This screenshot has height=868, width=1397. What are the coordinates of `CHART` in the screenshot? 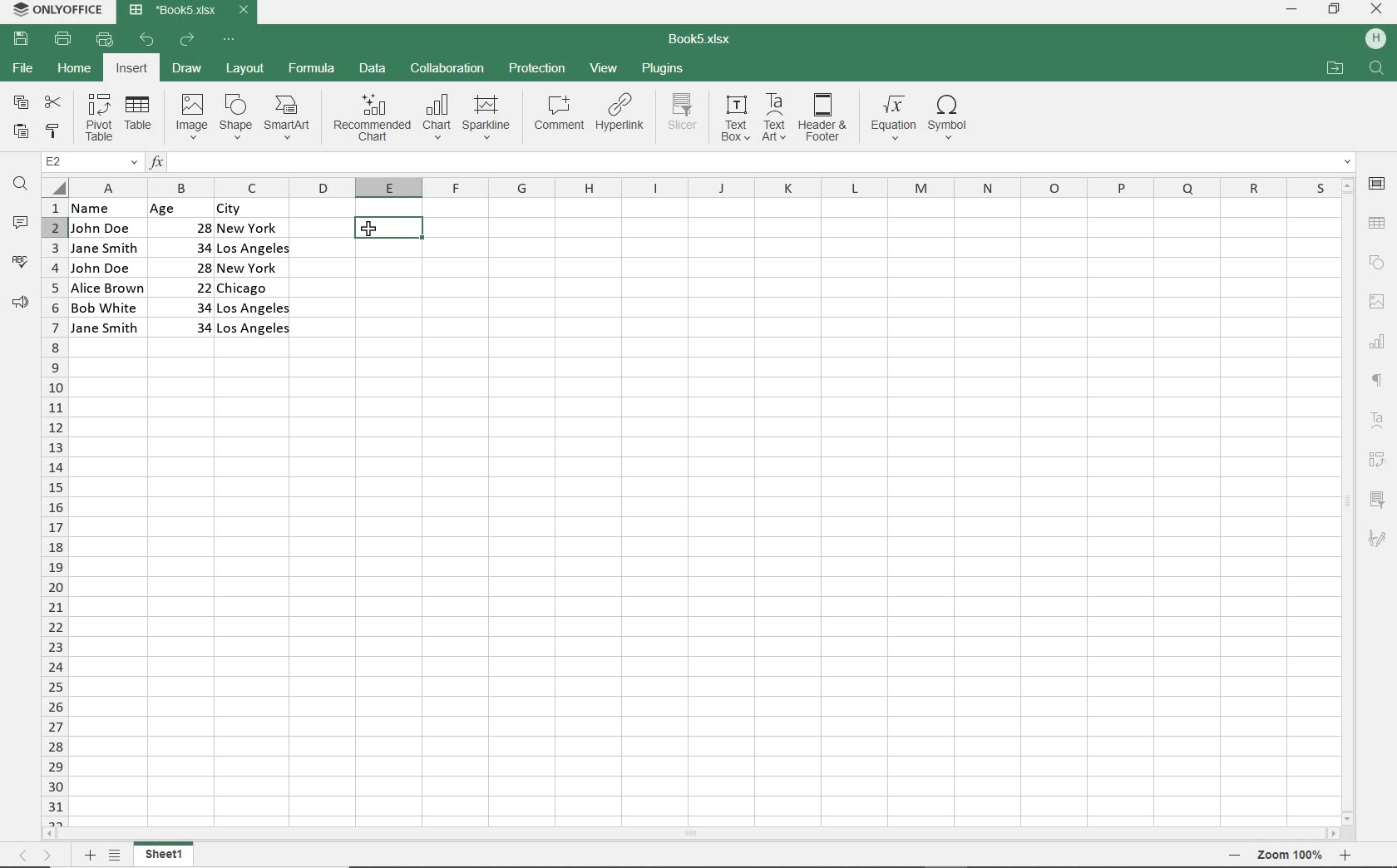 It's located at (1376, 341).